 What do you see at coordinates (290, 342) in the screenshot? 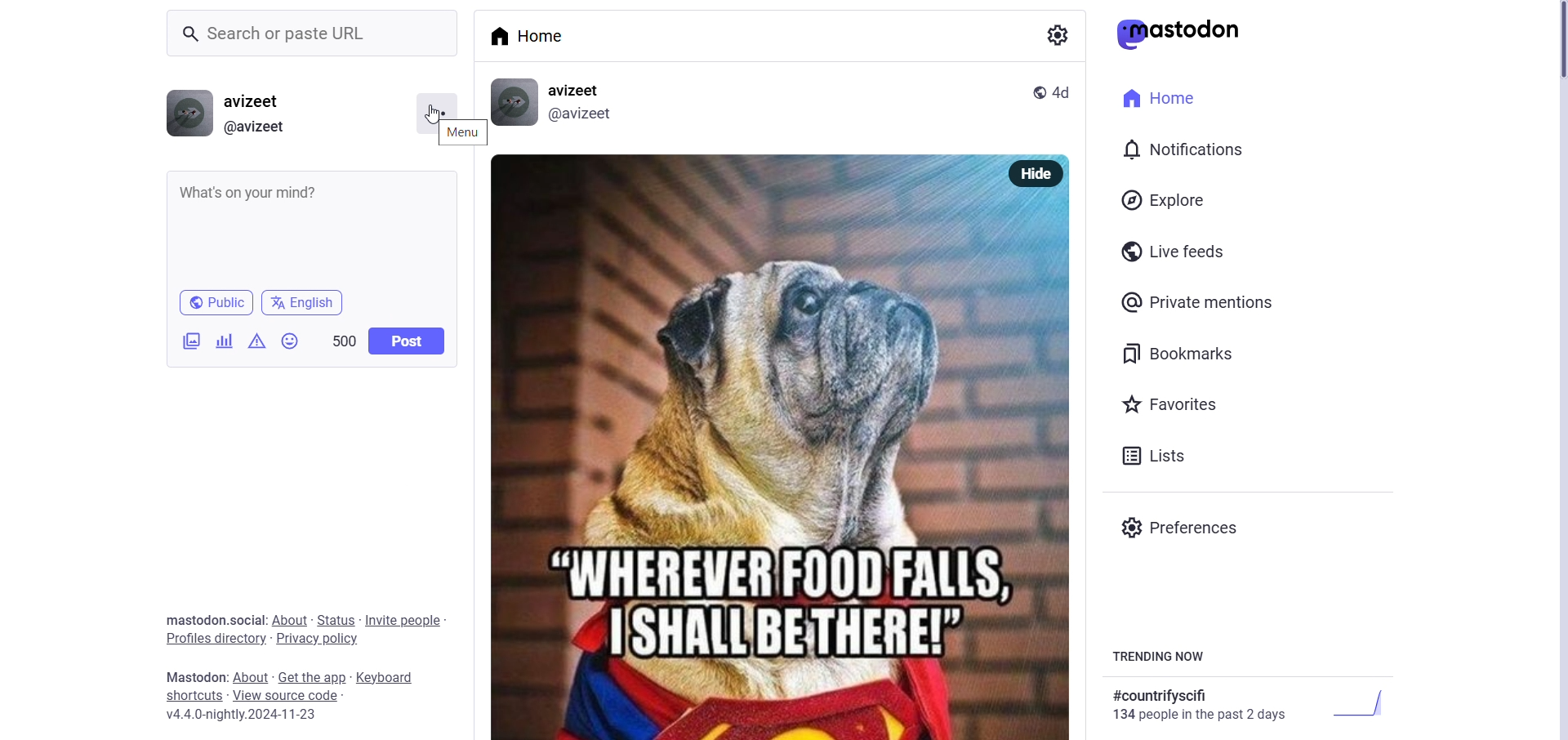
I see `emoji` at bounding box center [290, 342].